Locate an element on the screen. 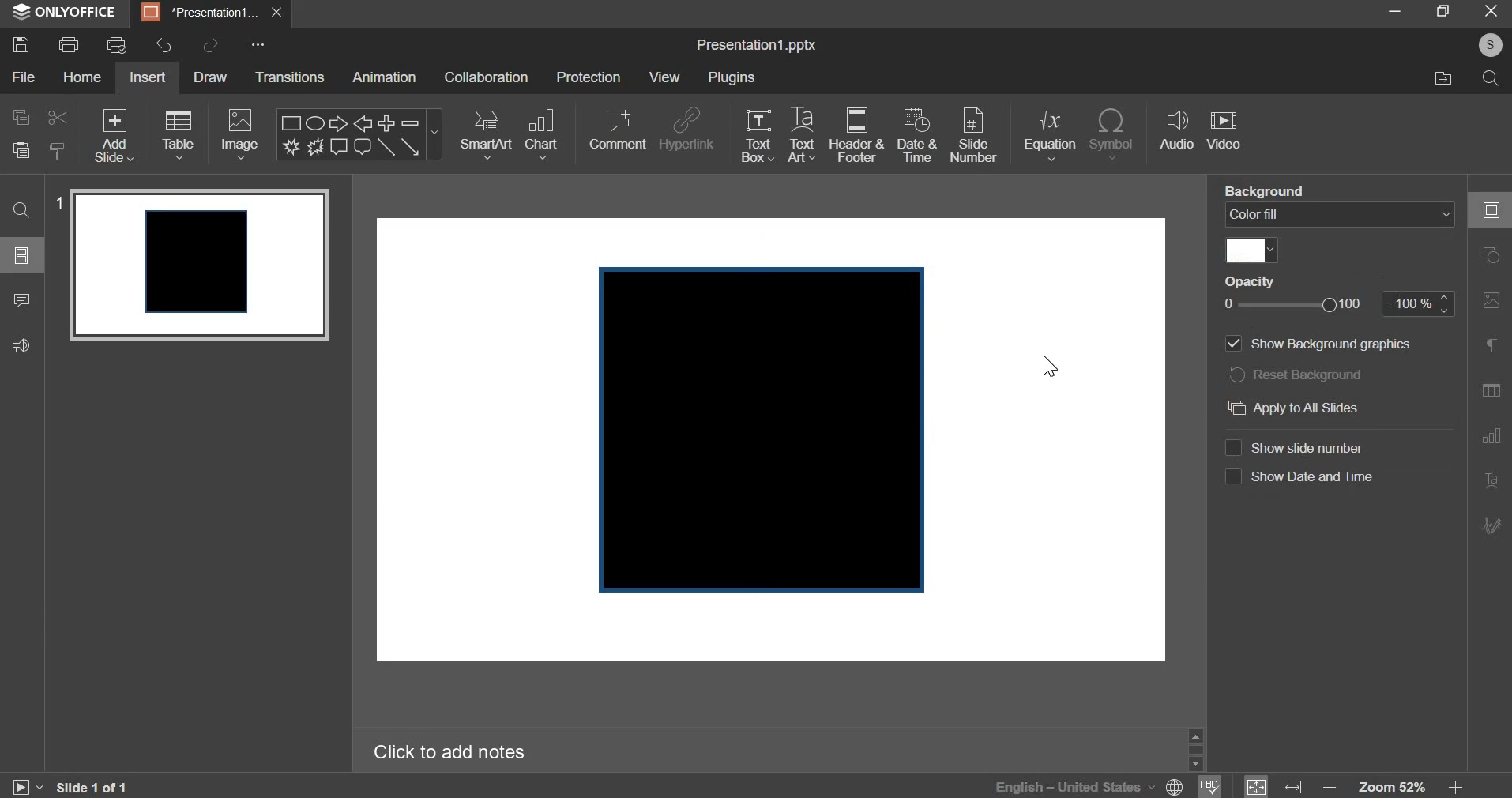  cut is located at coordinates (57, 118).